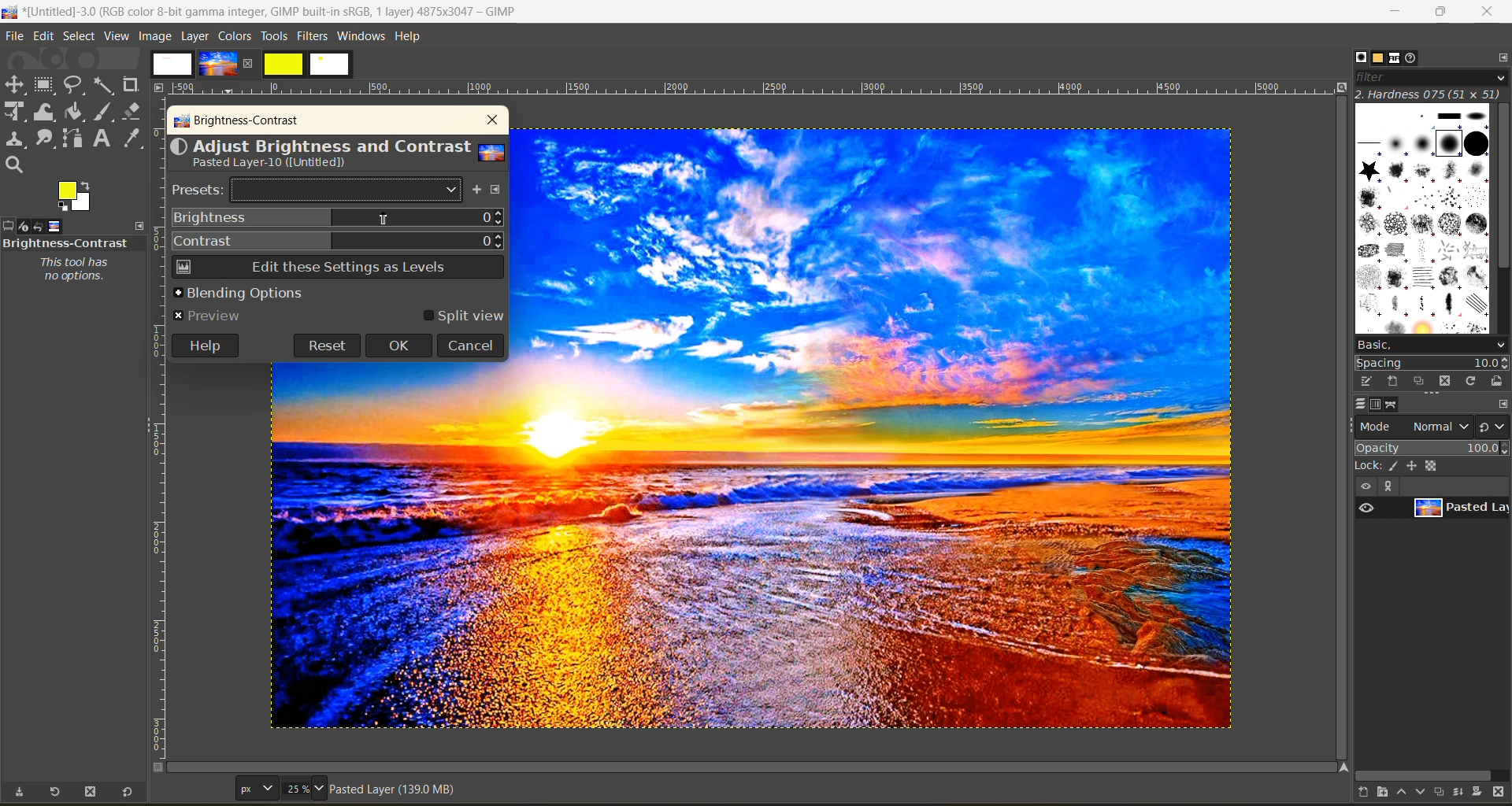  I want to click on create a duplicate, so click(1442, 791).